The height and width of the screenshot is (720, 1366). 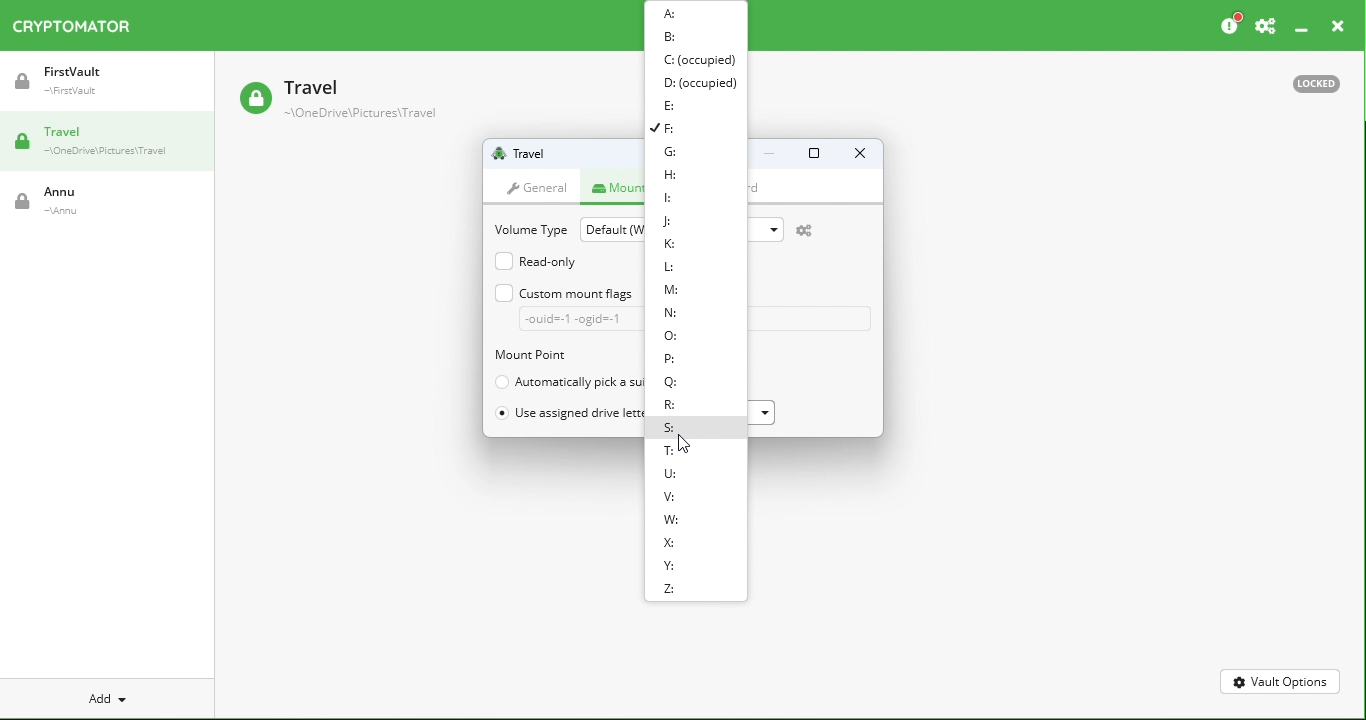 What do you see at coordinates (672, 591) in the screenshot?
I see `Z:` at bounding box center [672, 591].